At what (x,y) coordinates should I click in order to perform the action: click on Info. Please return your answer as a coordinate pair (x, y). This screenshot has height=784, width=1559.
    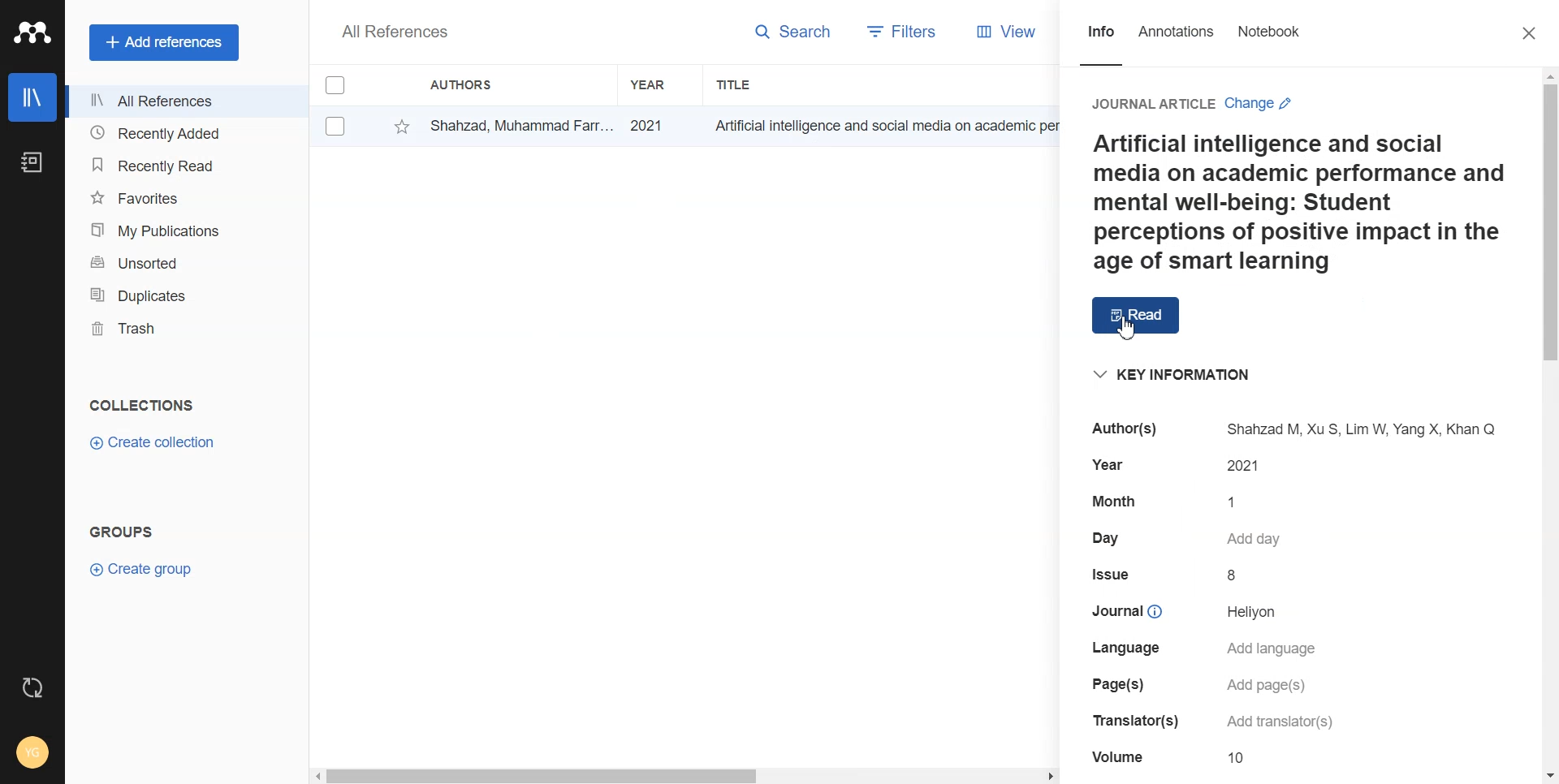
    Looking at the image, I should click on (1099, 35).